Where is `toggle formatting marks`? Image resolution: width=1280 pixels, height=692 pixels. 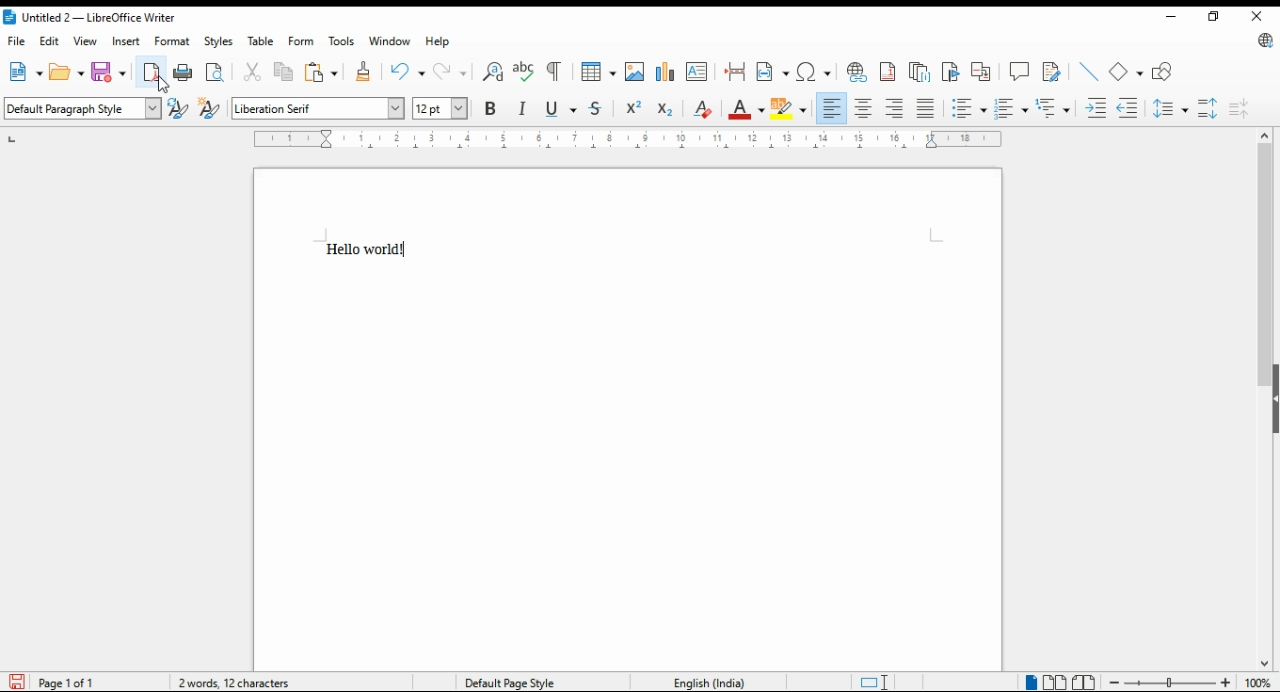 toggle formatting marks is located at coordinates (553, 71).